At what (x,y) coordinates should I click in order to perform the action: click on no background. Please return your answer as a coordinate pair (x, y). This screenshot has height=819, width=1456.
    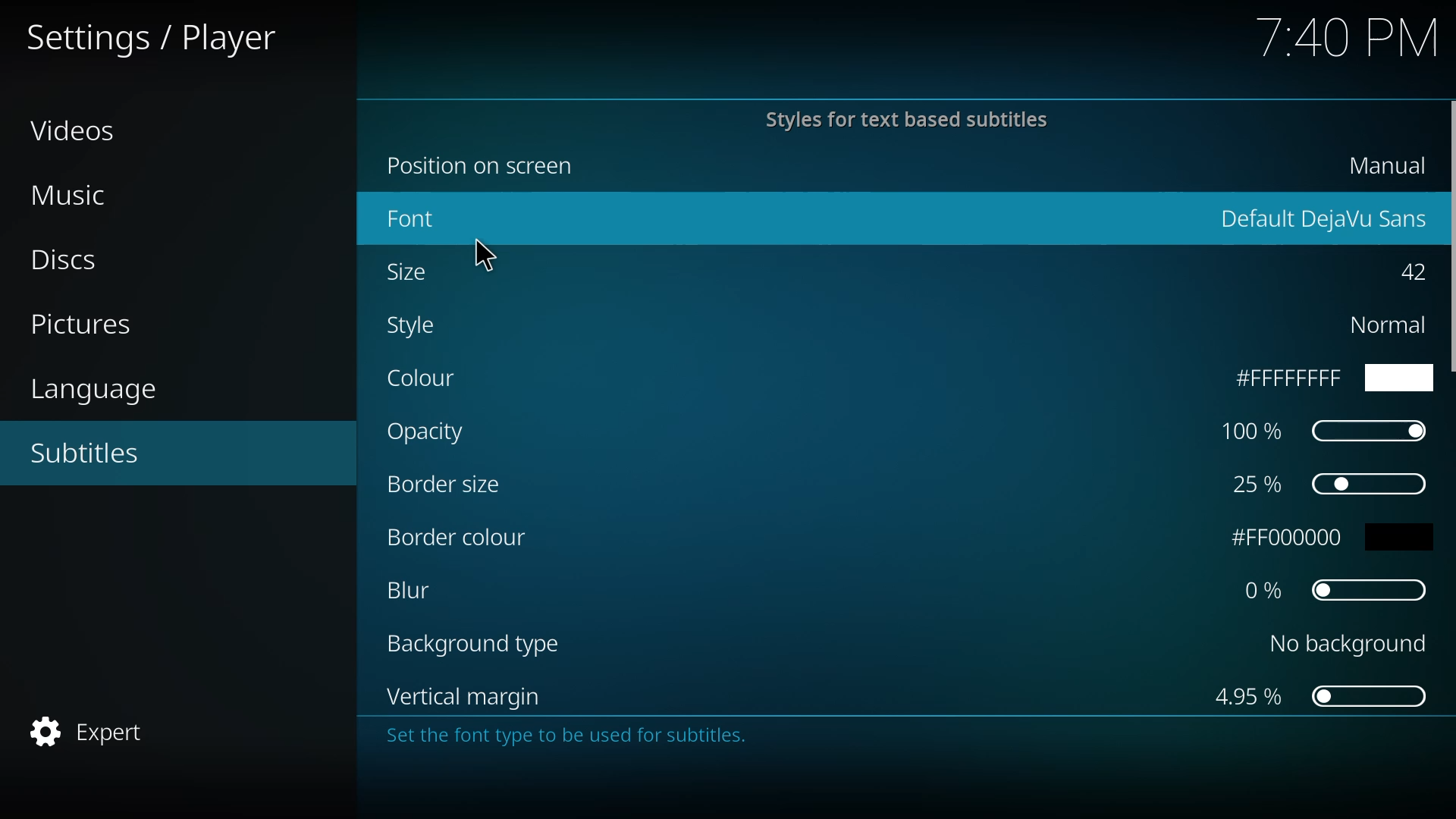
    Looking at the image, I should click on (1344, 641).